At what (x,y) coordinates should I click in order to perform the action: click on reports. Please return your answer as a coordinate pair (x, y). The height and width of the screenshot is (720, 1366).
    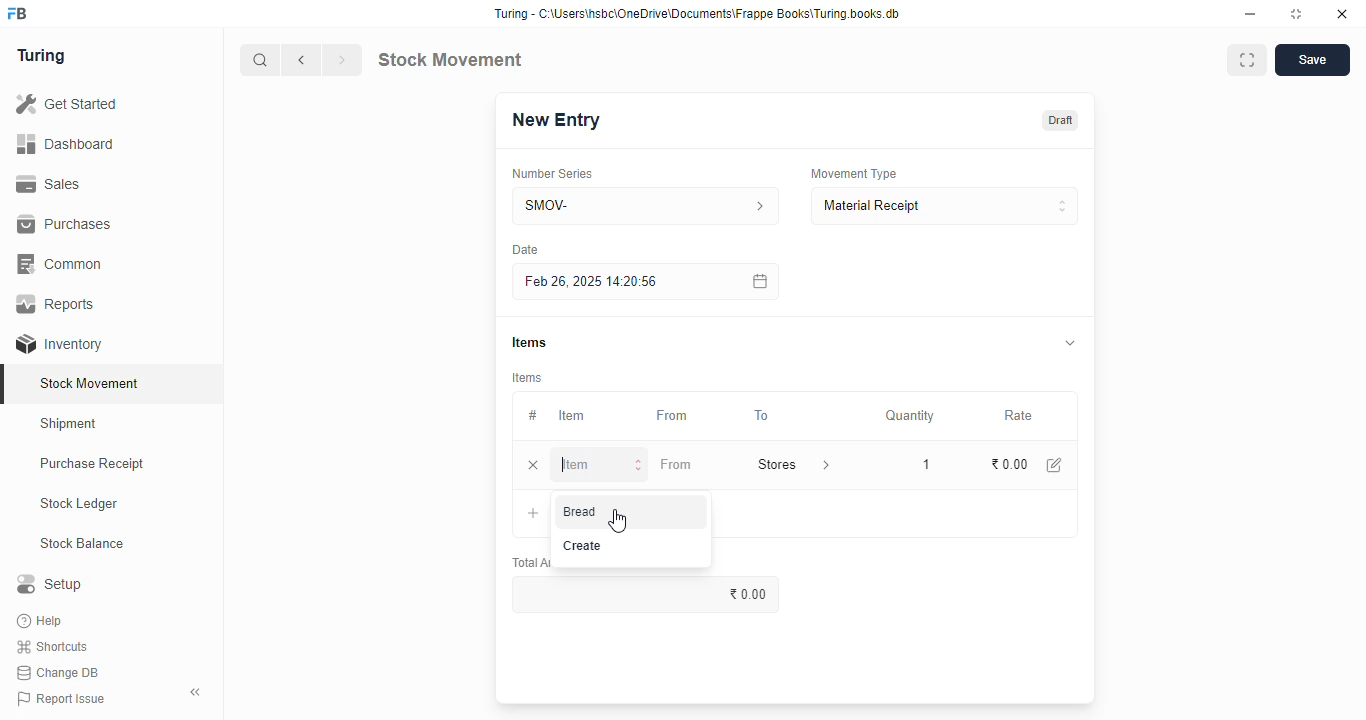
    Looking at the image, I should click on (57, 303).